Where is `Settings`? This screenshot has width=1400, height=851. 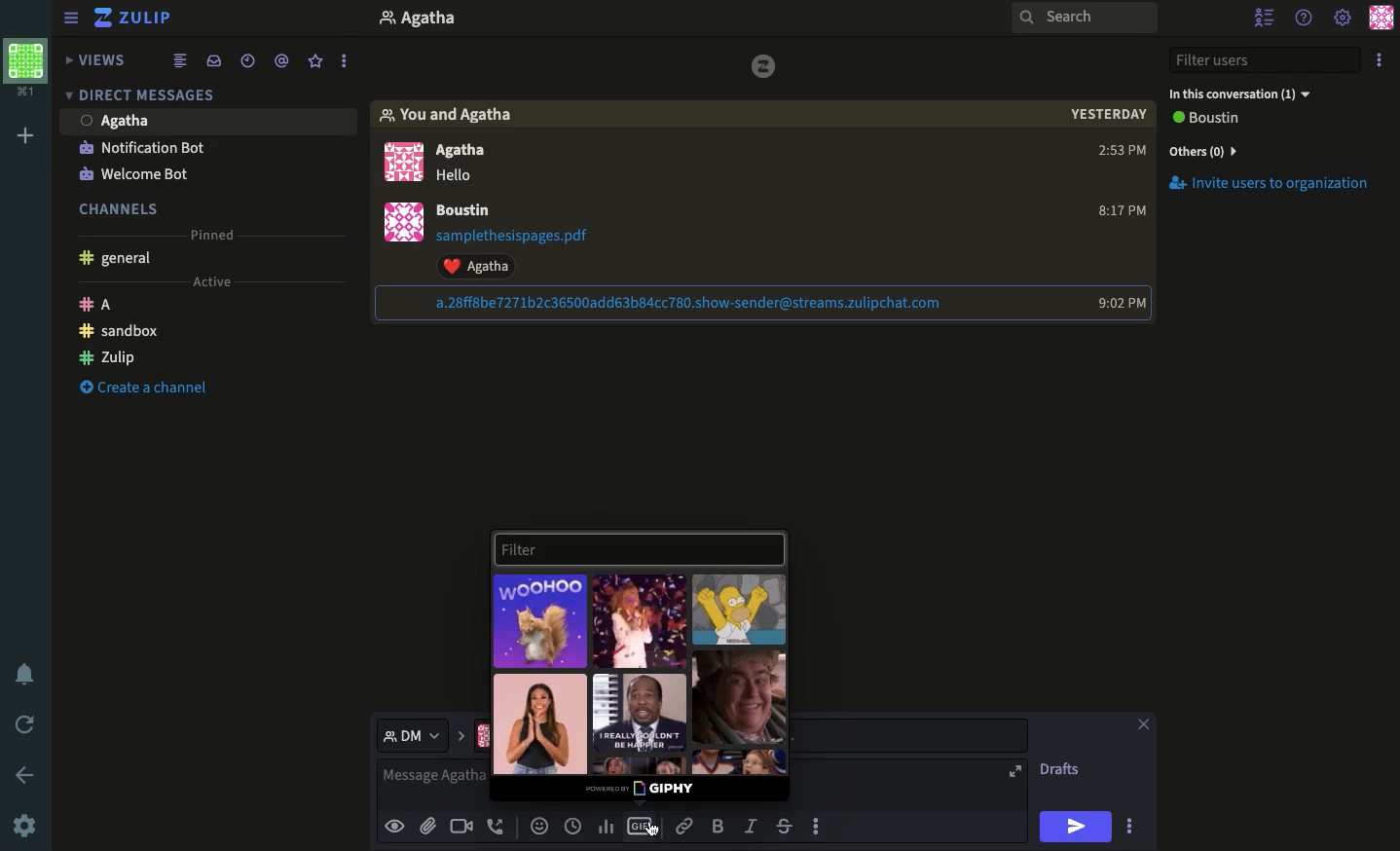 Settings is located at coordinates (1344, 19).